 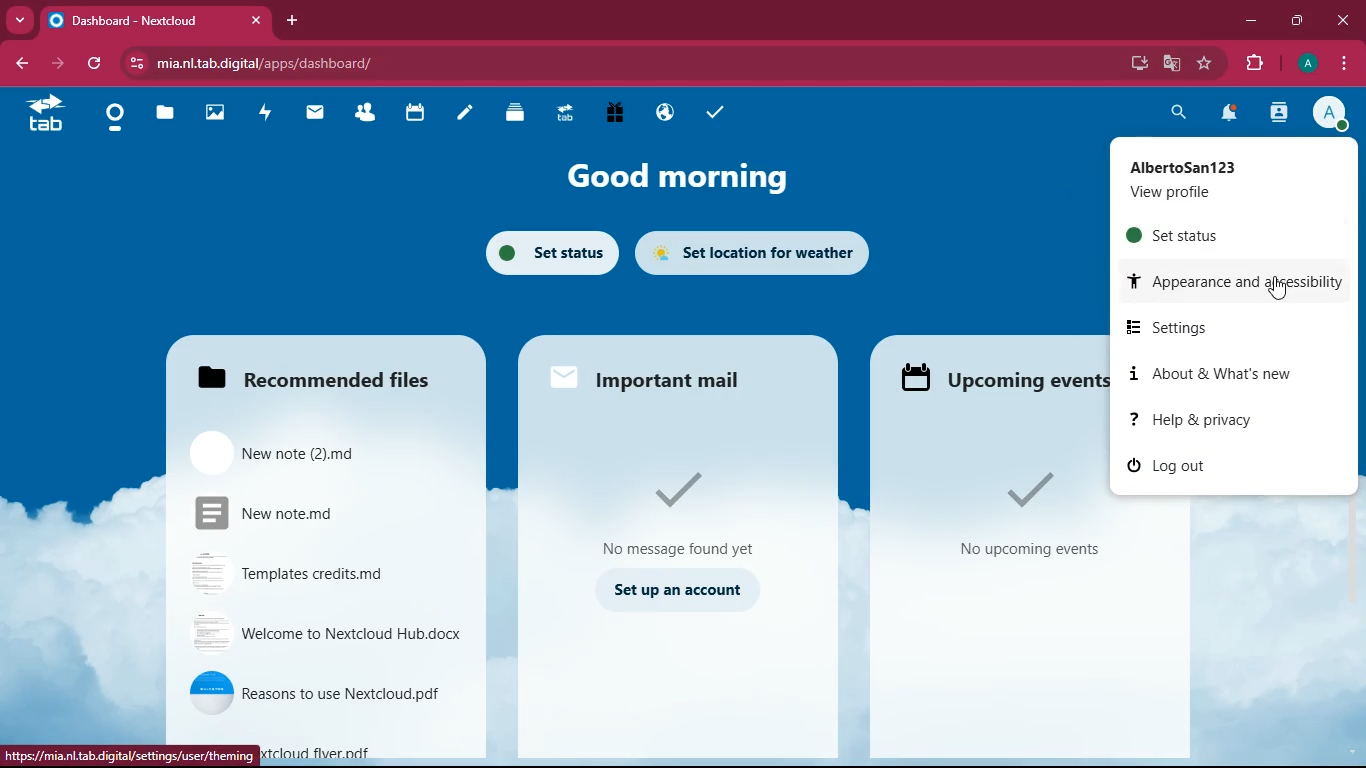 I want to click on events, so click(x=1021, y=522).